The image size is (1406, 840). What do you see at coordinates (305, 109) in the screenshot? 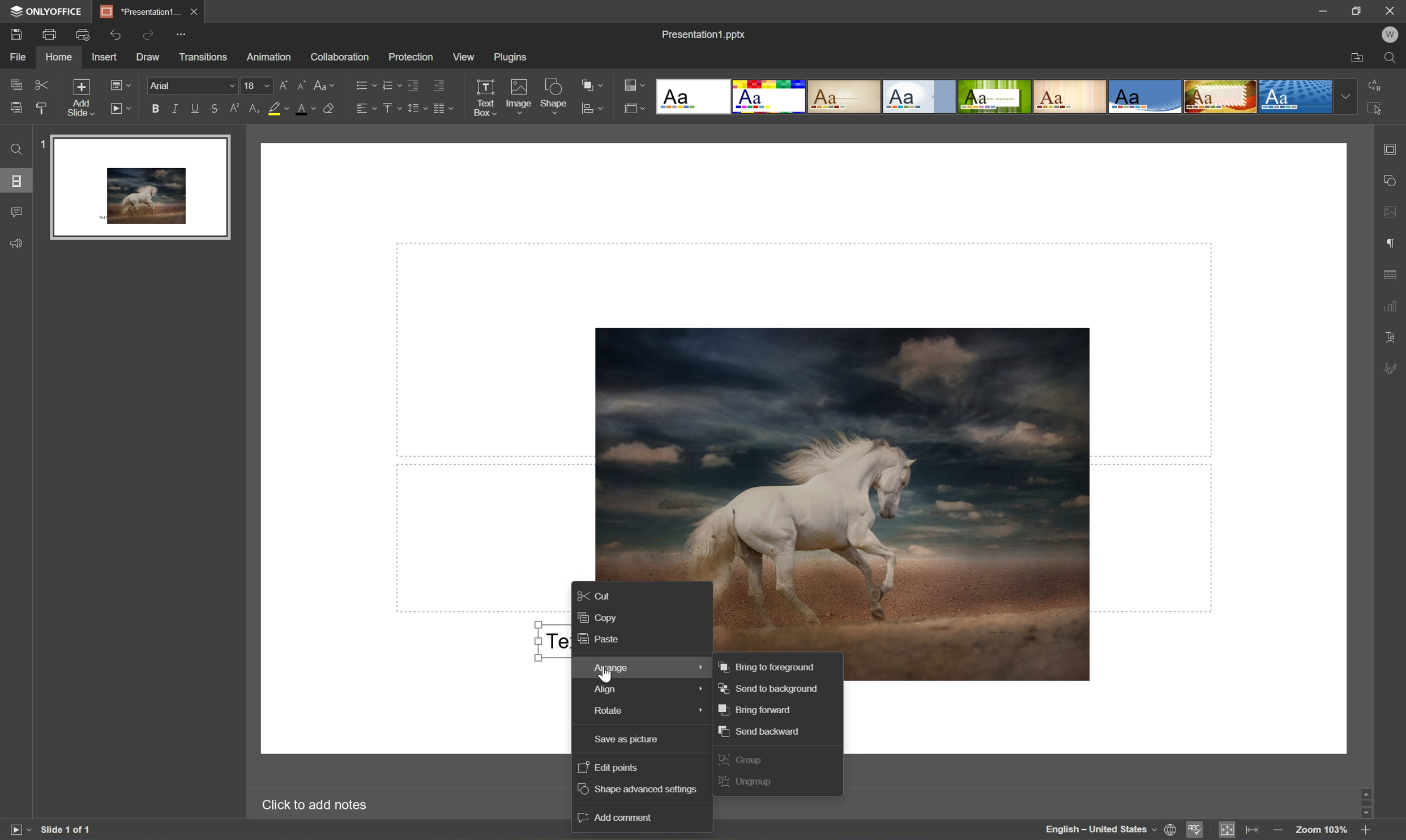
I see `Font color` at bounding box center [305, 109].